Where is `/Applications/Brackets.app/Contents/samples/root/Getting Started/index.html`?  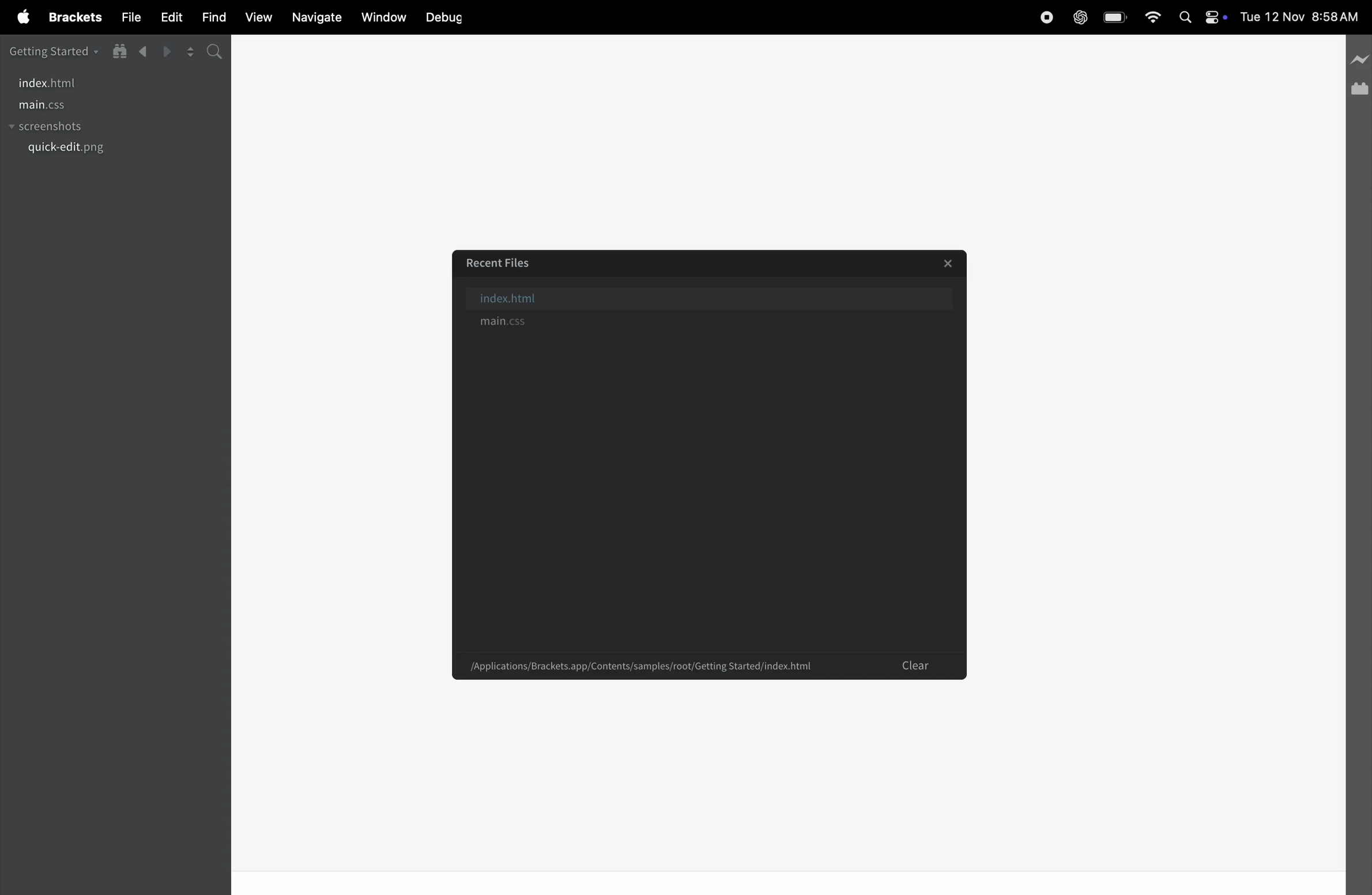
/Applications/Brackets.app/Contents/samples/root/Getting Started/index.html is located at coordinates (642, 665).